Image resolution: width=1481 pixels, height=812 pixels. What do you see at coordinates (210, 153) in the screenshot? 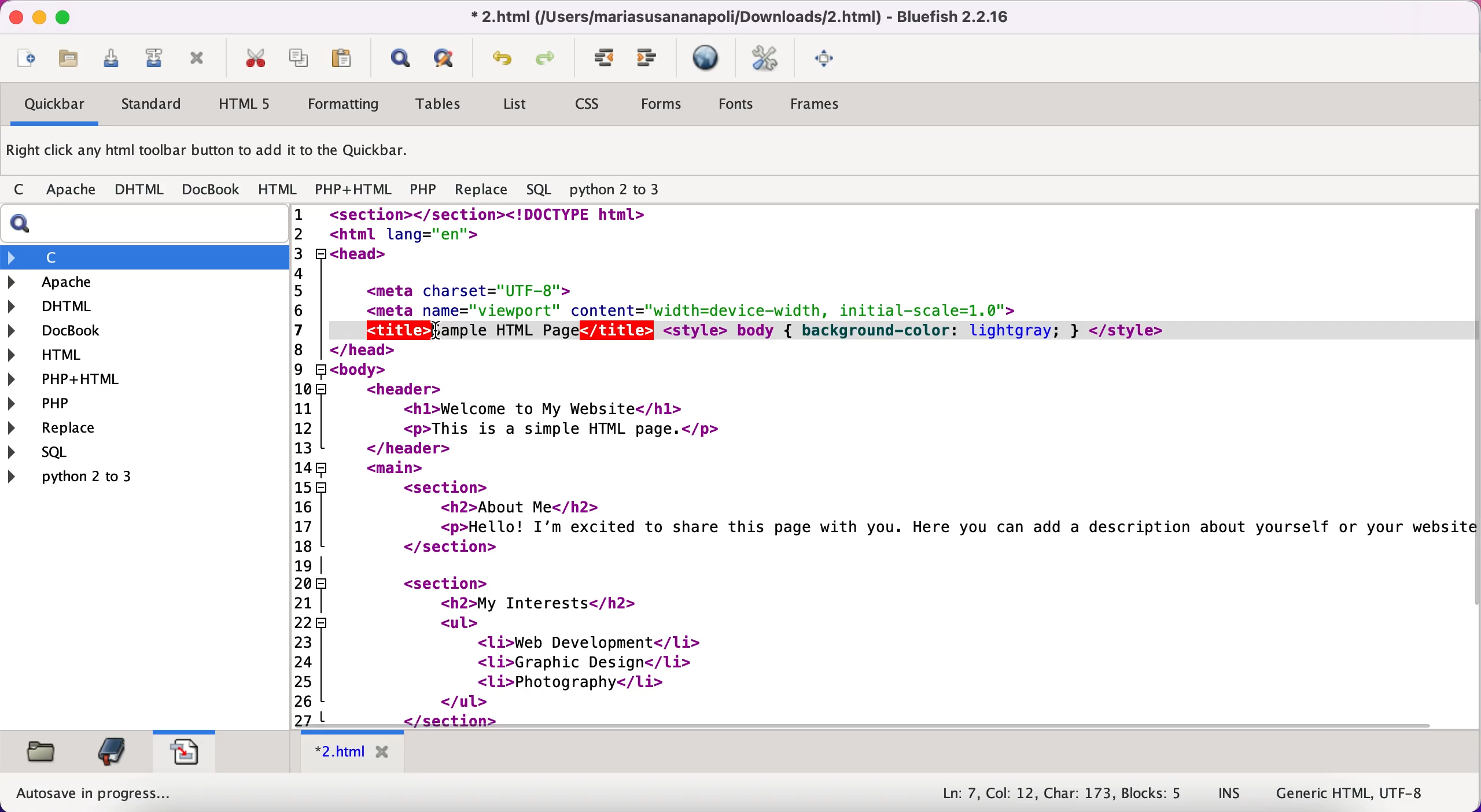
I see `right click any html toolbar button to add it to the quickbar.` at bounding box center [210, 153].